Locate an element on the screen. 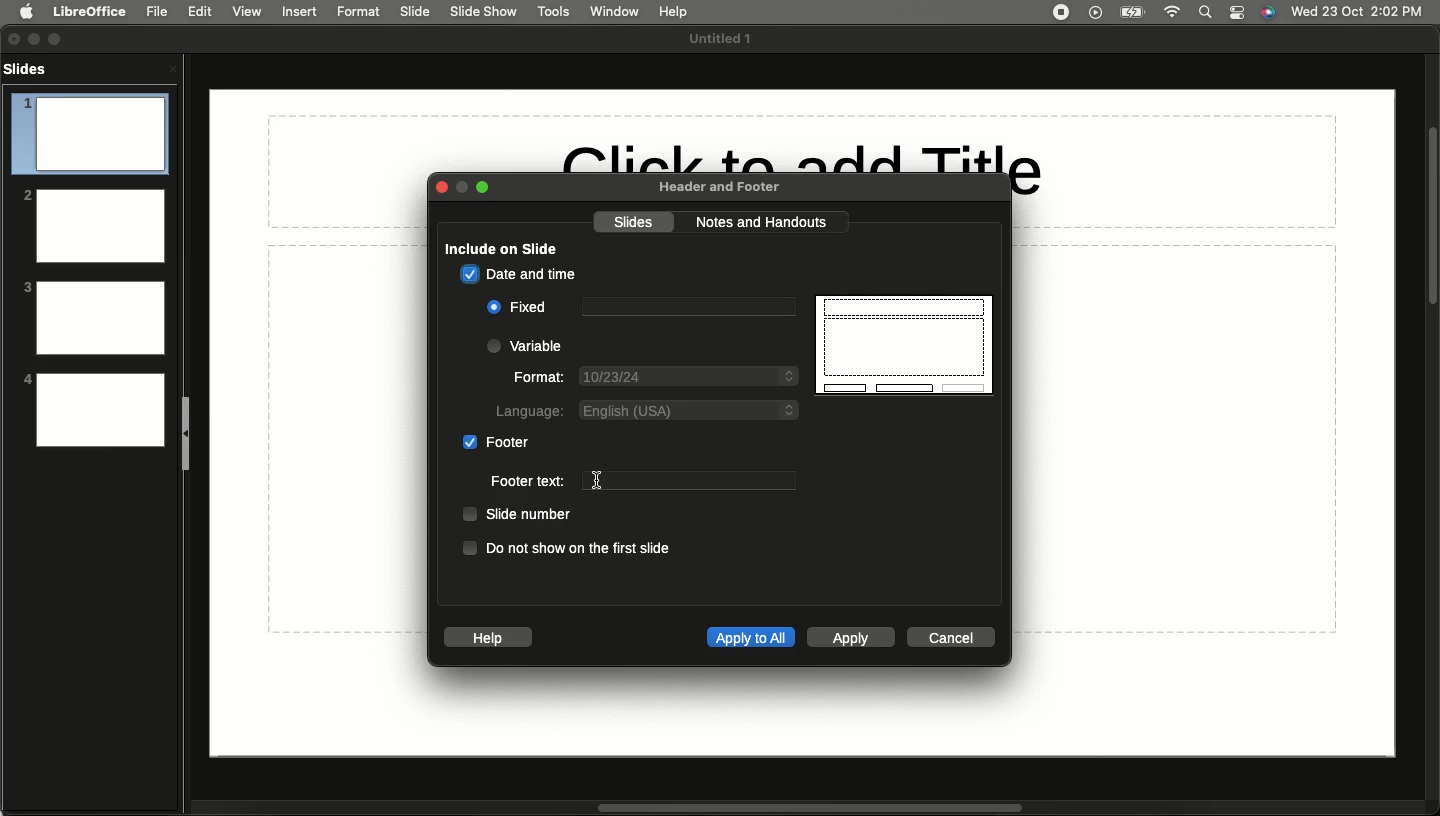  Hel is located at coordinates (674, 12).